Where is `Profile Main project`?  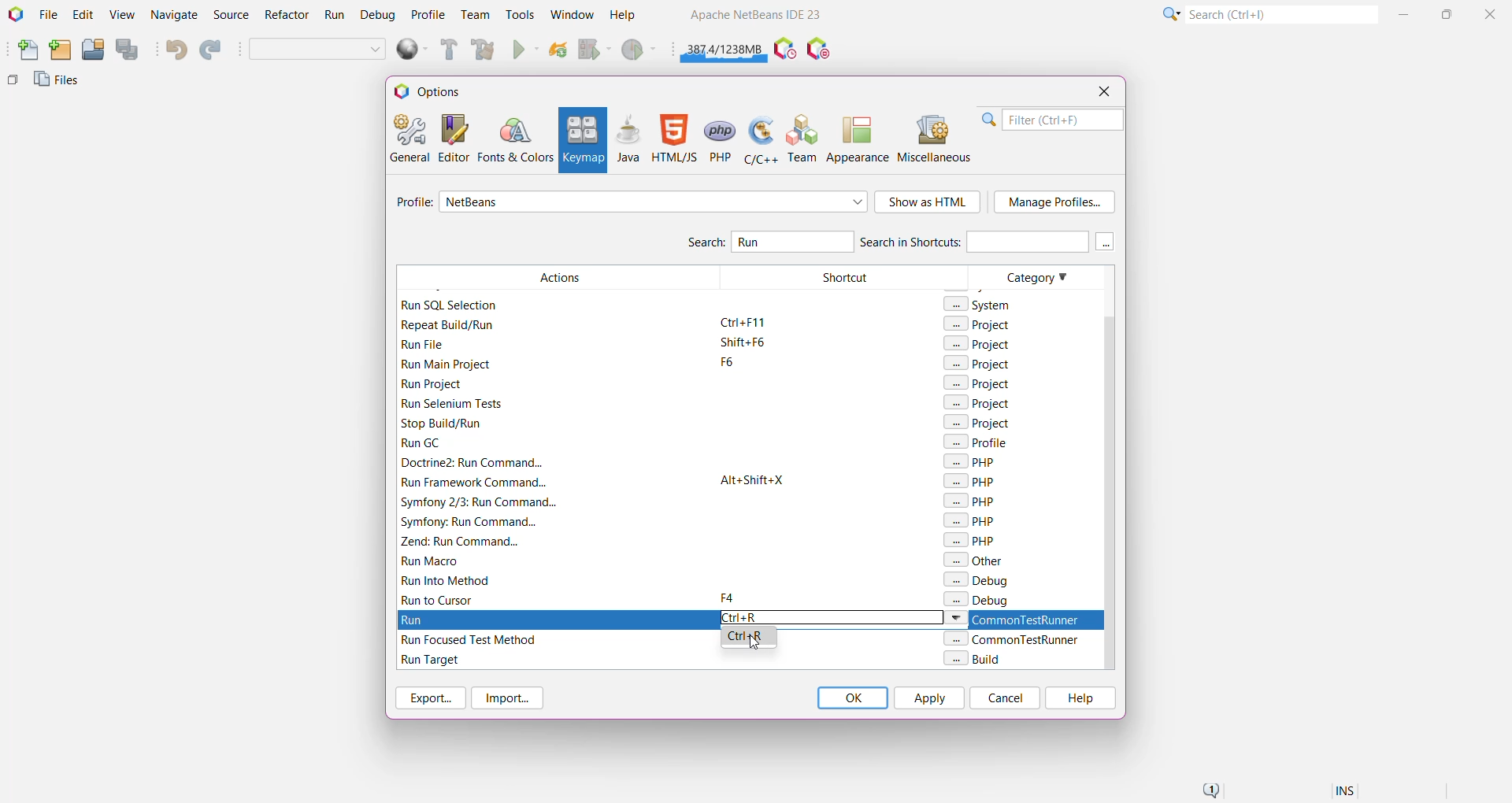 Profile Main project is located at coordinates (640, 51).